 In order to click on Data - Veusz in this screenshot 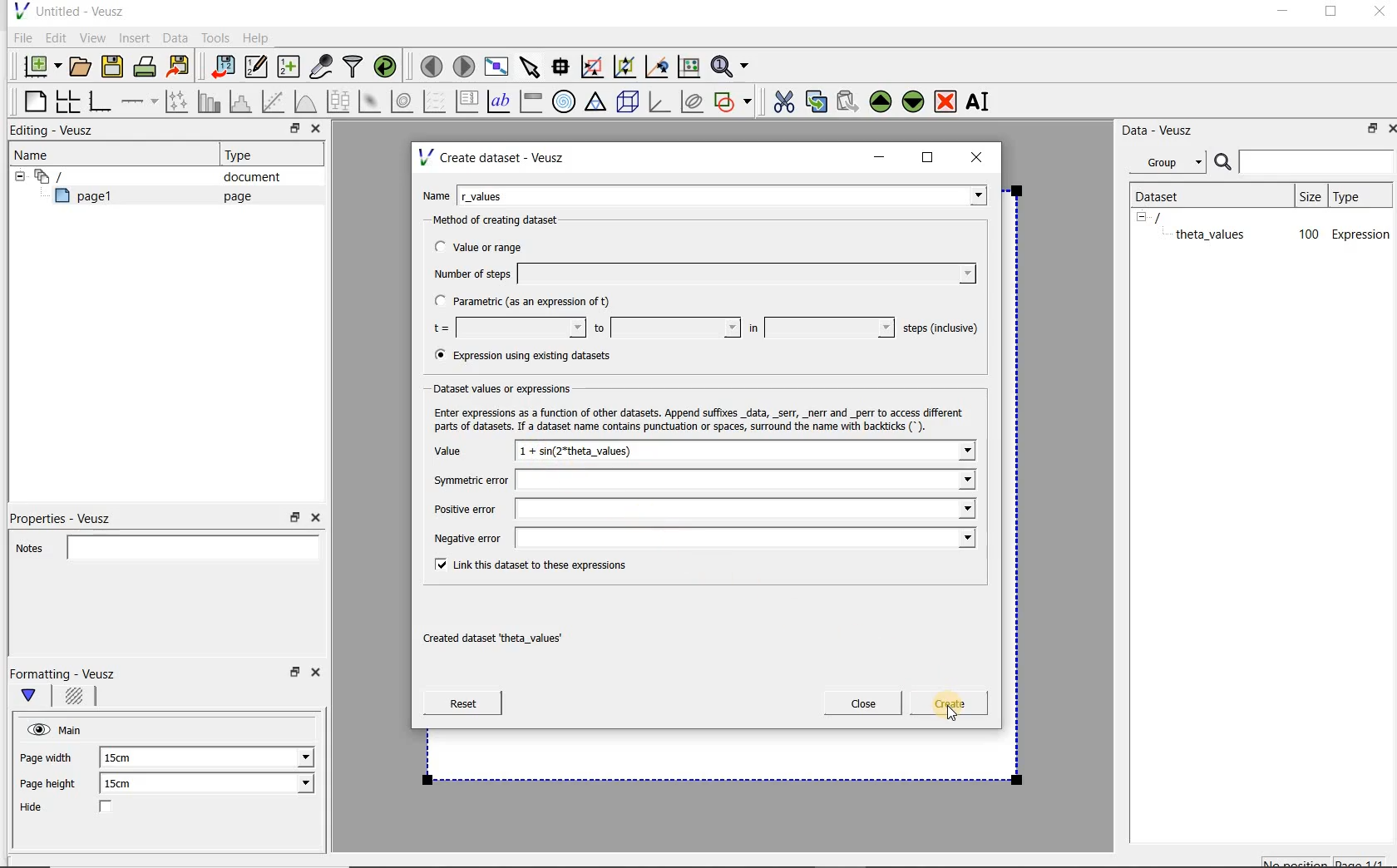, I will do `click(1163, 130)`.